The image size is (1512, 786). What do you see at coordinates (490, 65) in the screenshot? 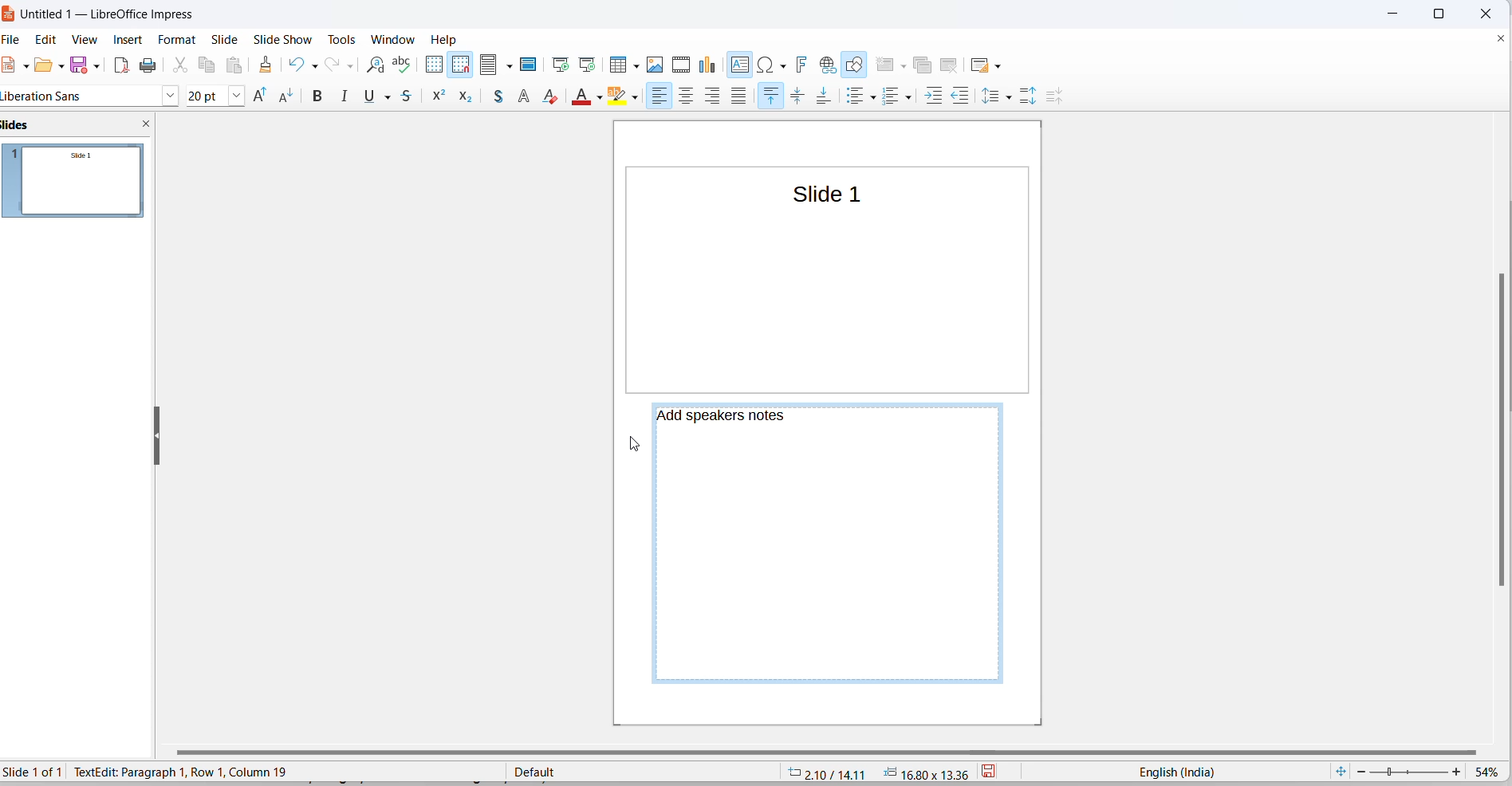
I see `display views icons` at bounding box center [490, 65].